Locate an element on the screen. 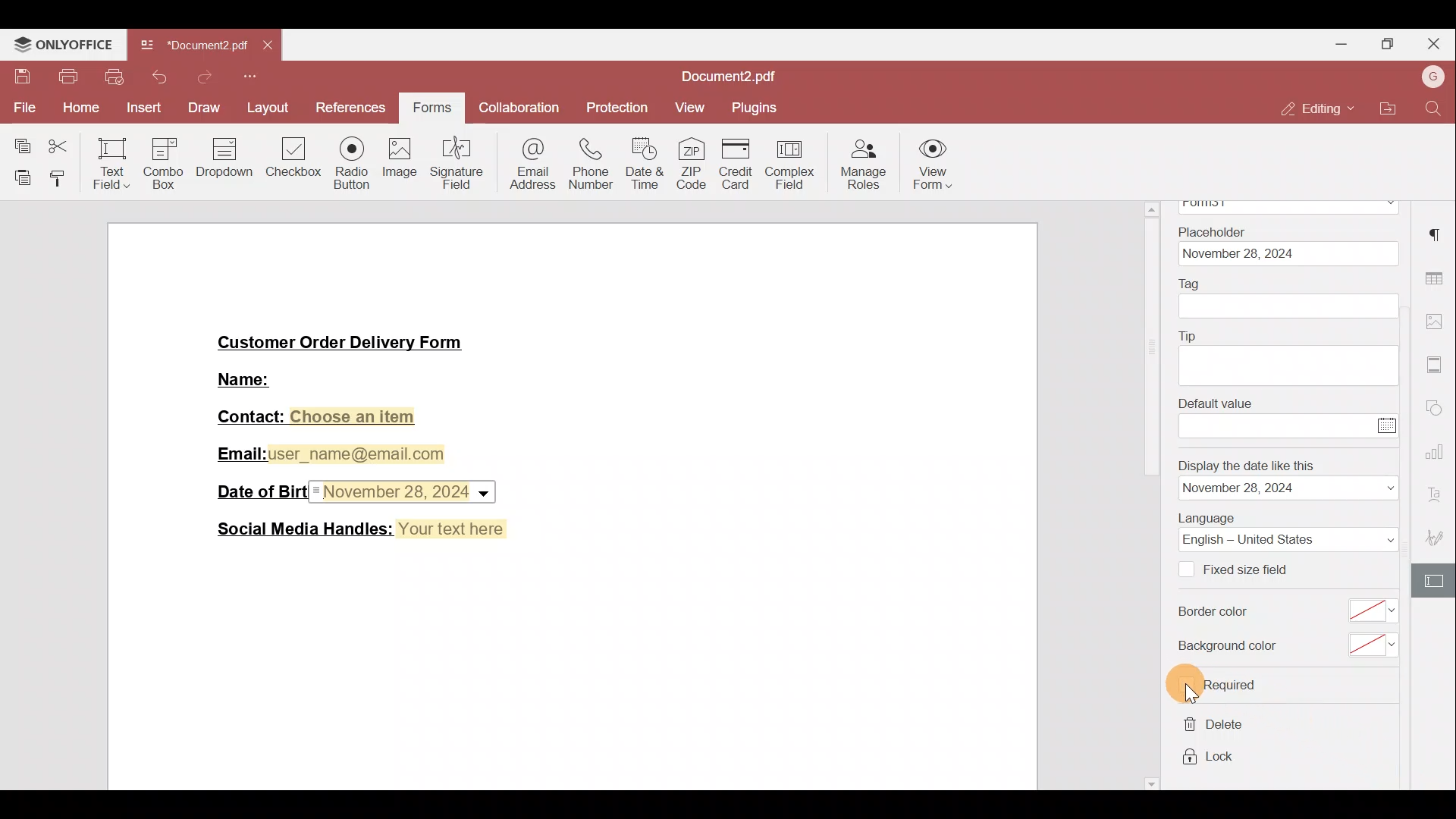 The width and height of the screenshot is (1456, 819). ZIP code is located at coordinates (695, 165).